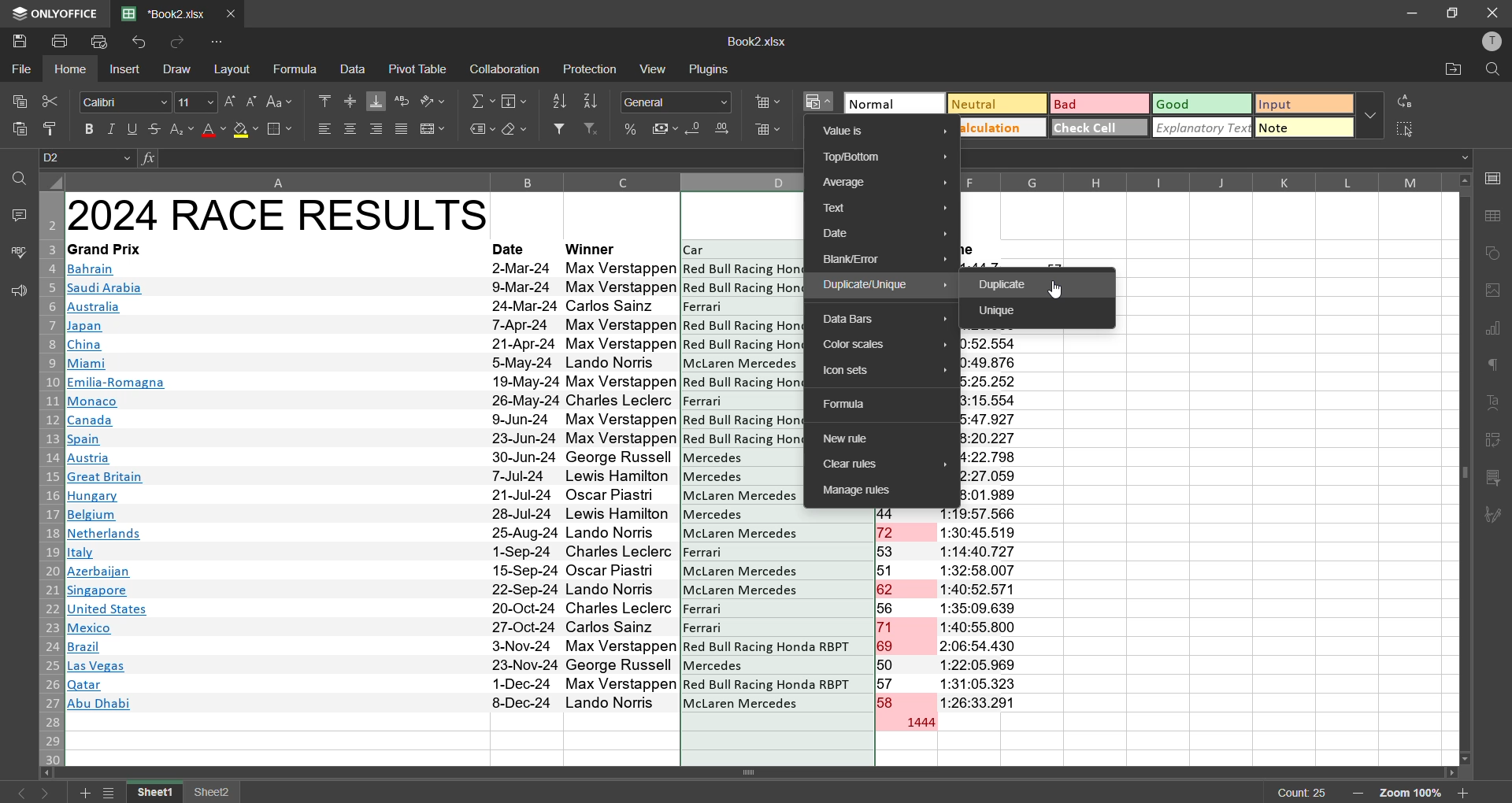 Image resolution: width=1512 pixels, height=803 pixels. I want to click on filter, so click(559, 128).